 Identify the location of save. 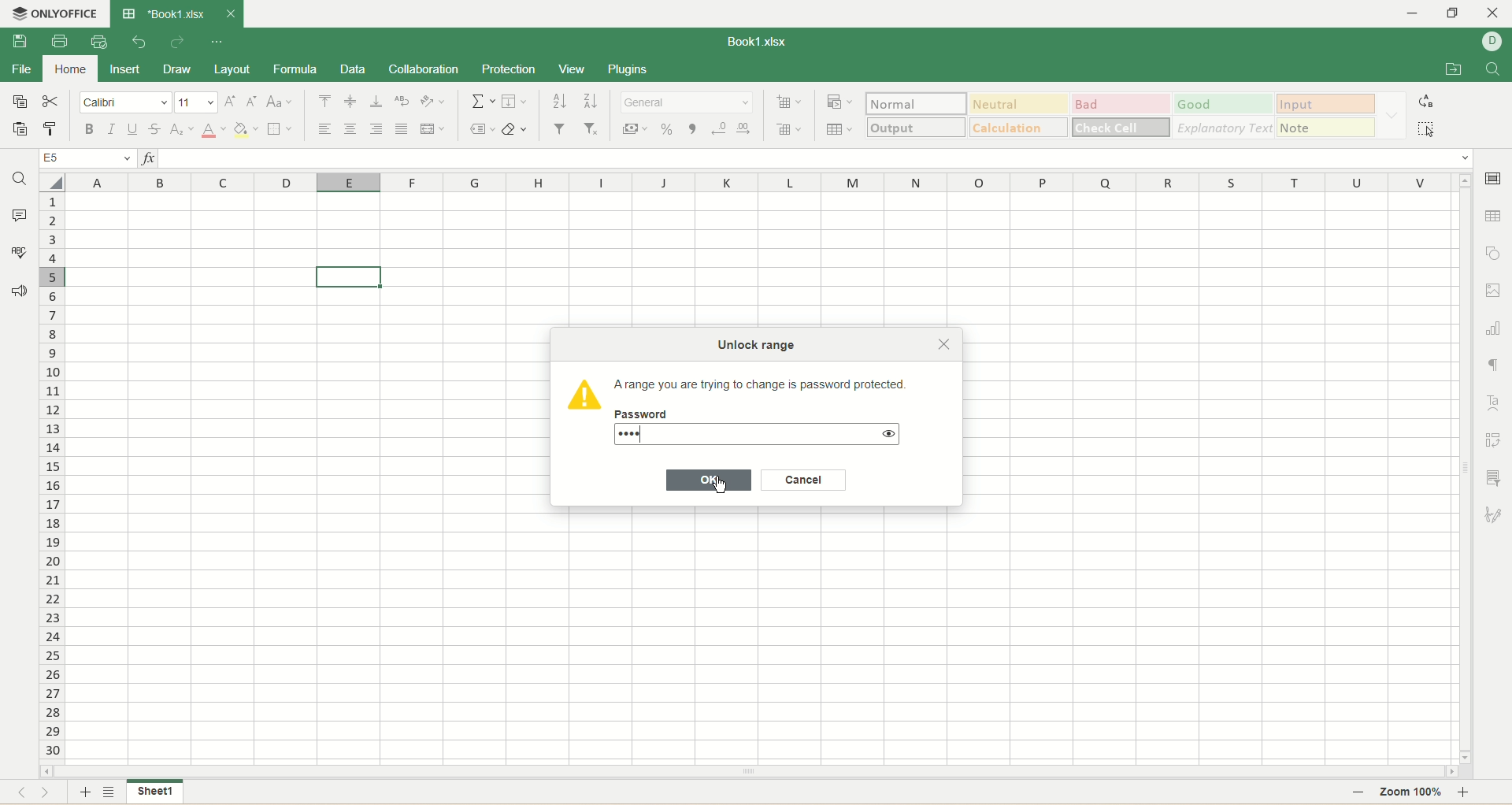
(20, 43).